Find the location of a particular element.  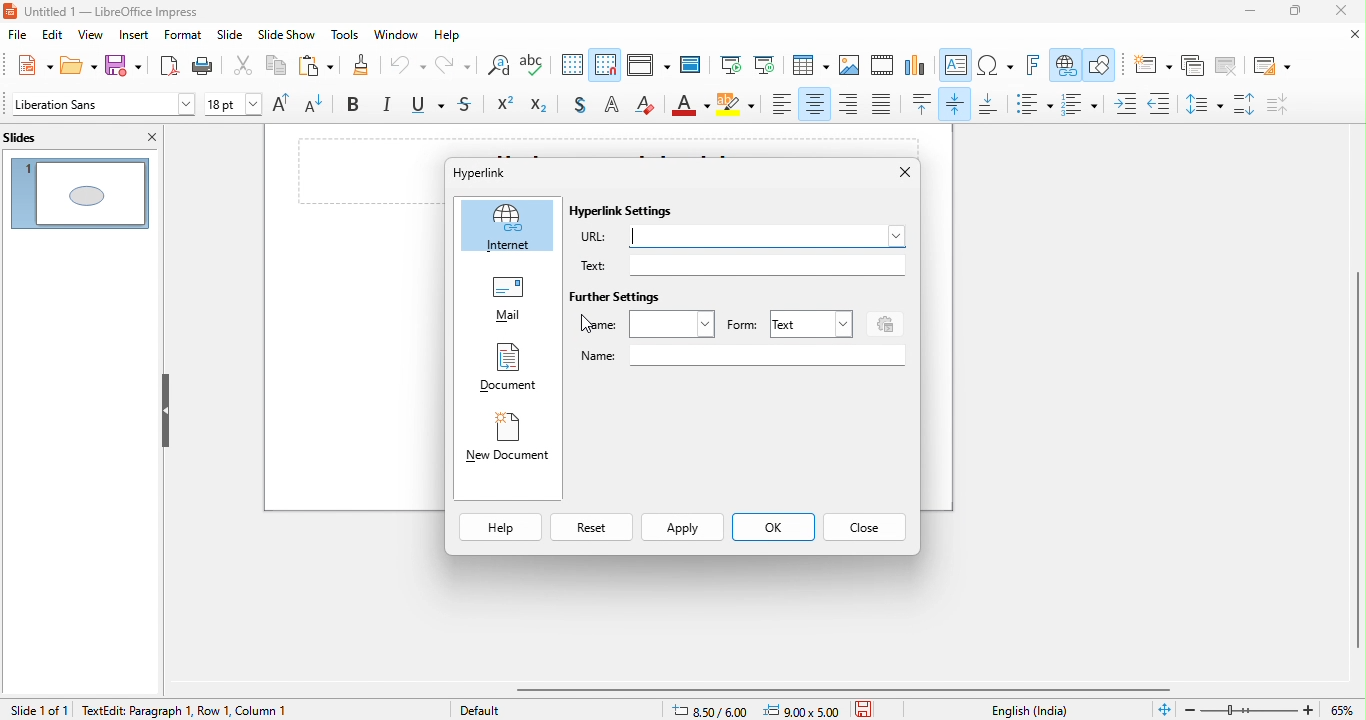

reset is located at coordinates (590, 529).